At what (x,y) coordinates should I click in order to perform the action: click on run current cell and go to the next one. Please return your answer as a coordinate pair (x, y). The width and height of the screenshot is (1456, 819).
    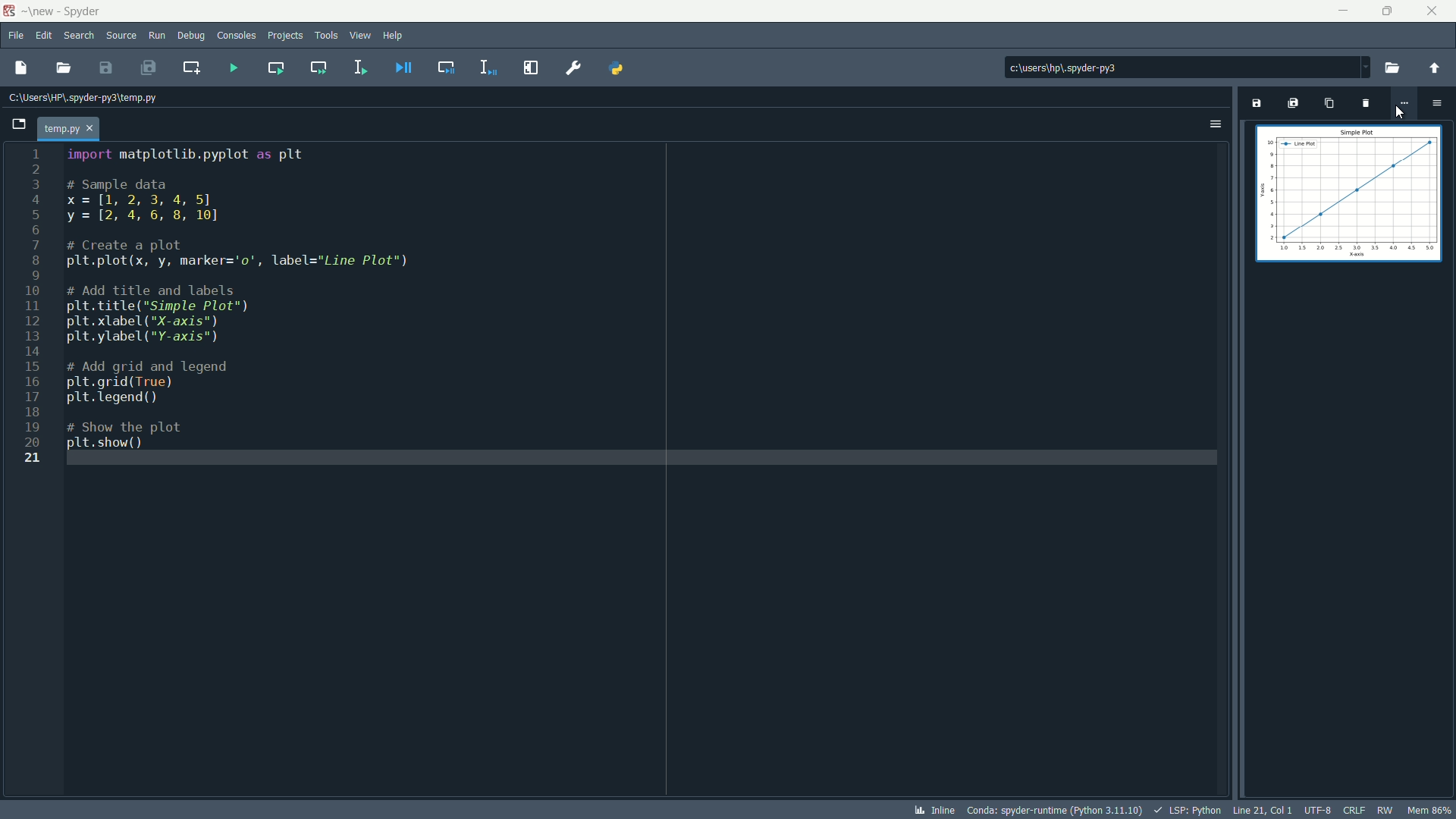
    Looking at the image, I should click on (316, 68).